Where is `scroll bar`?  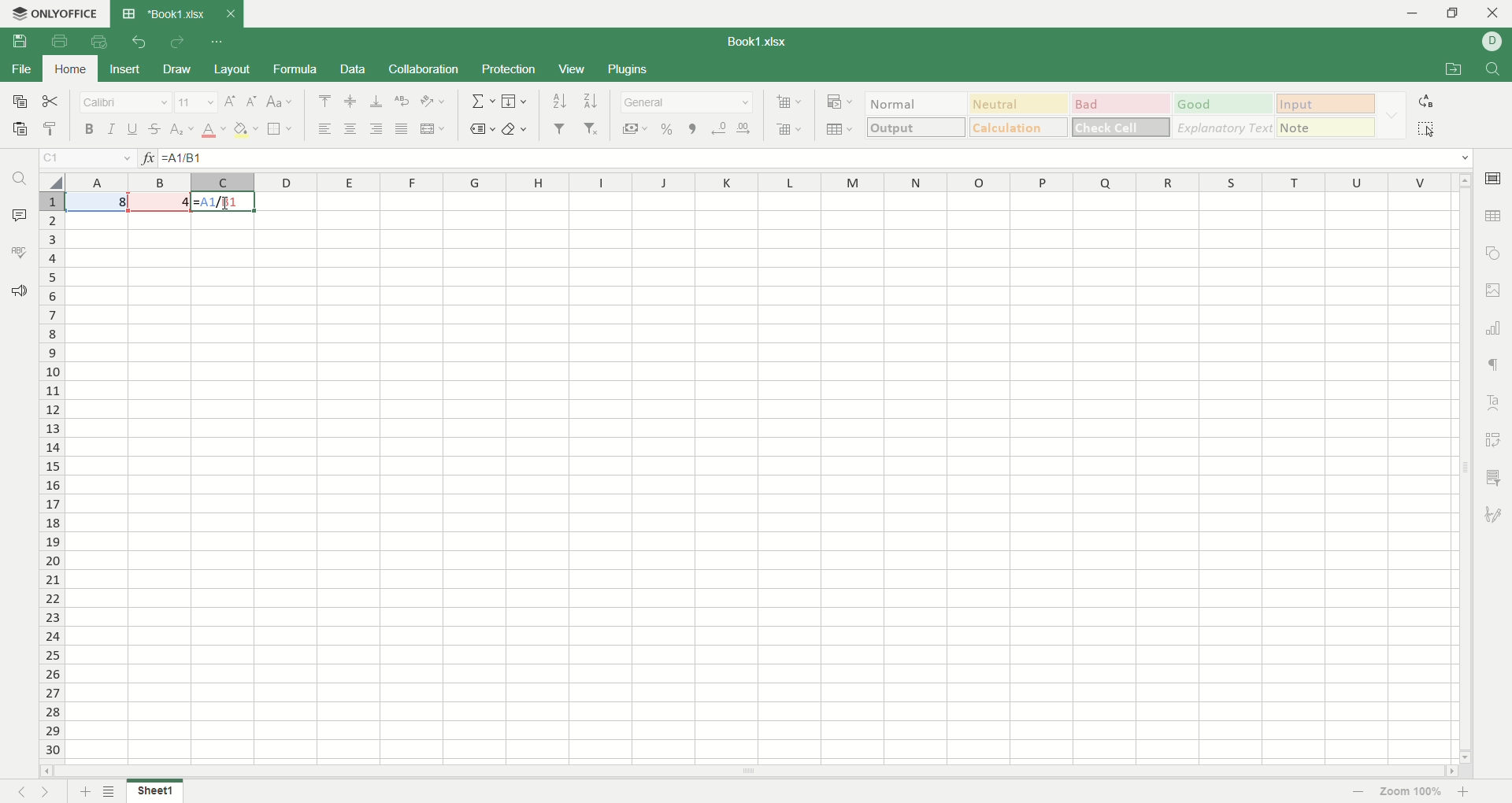
scroll bar is located at coordinates (746, 773).